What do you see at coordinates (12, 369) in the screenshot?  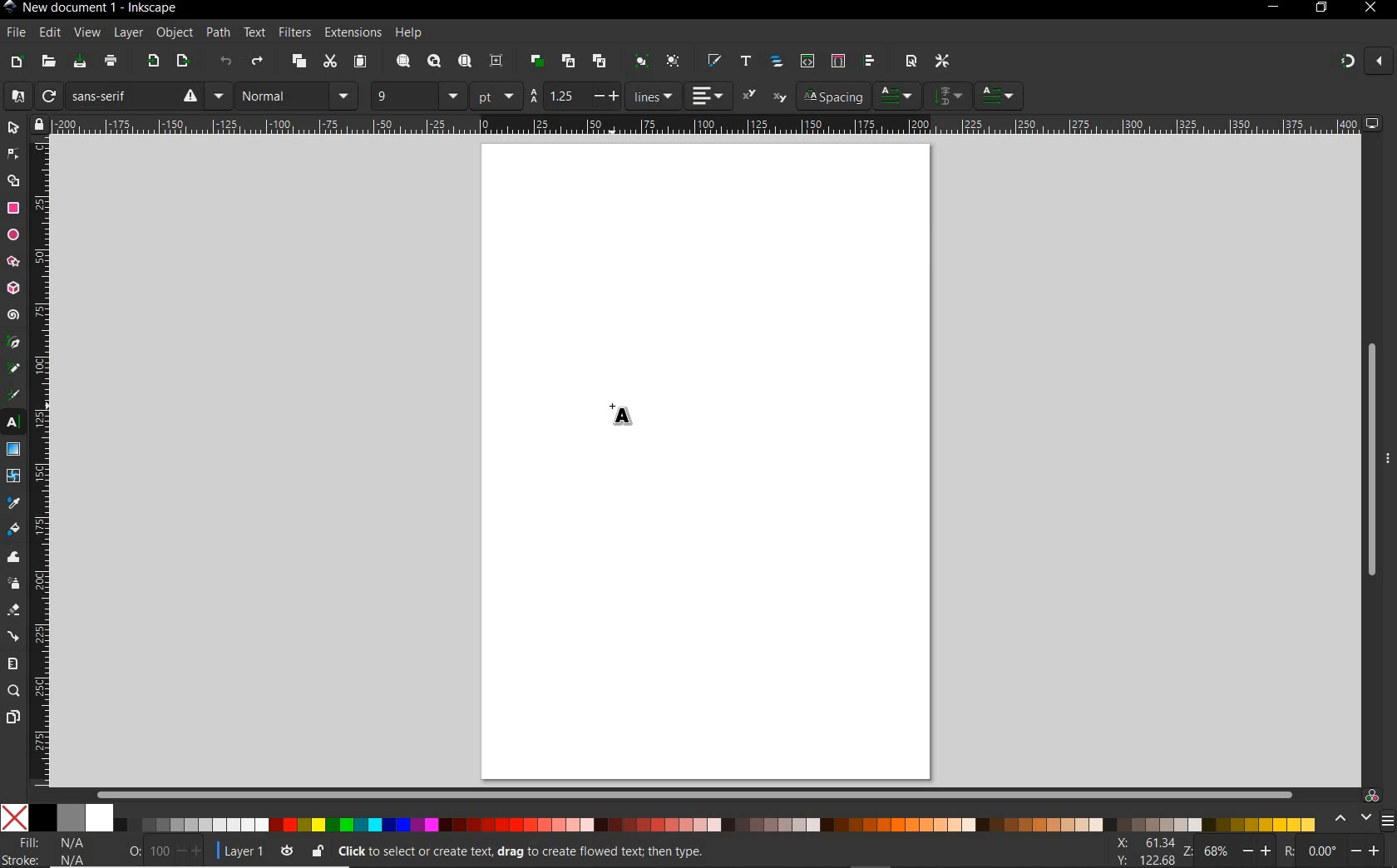 I see `pencil tool` at bounding box center [12, 369].